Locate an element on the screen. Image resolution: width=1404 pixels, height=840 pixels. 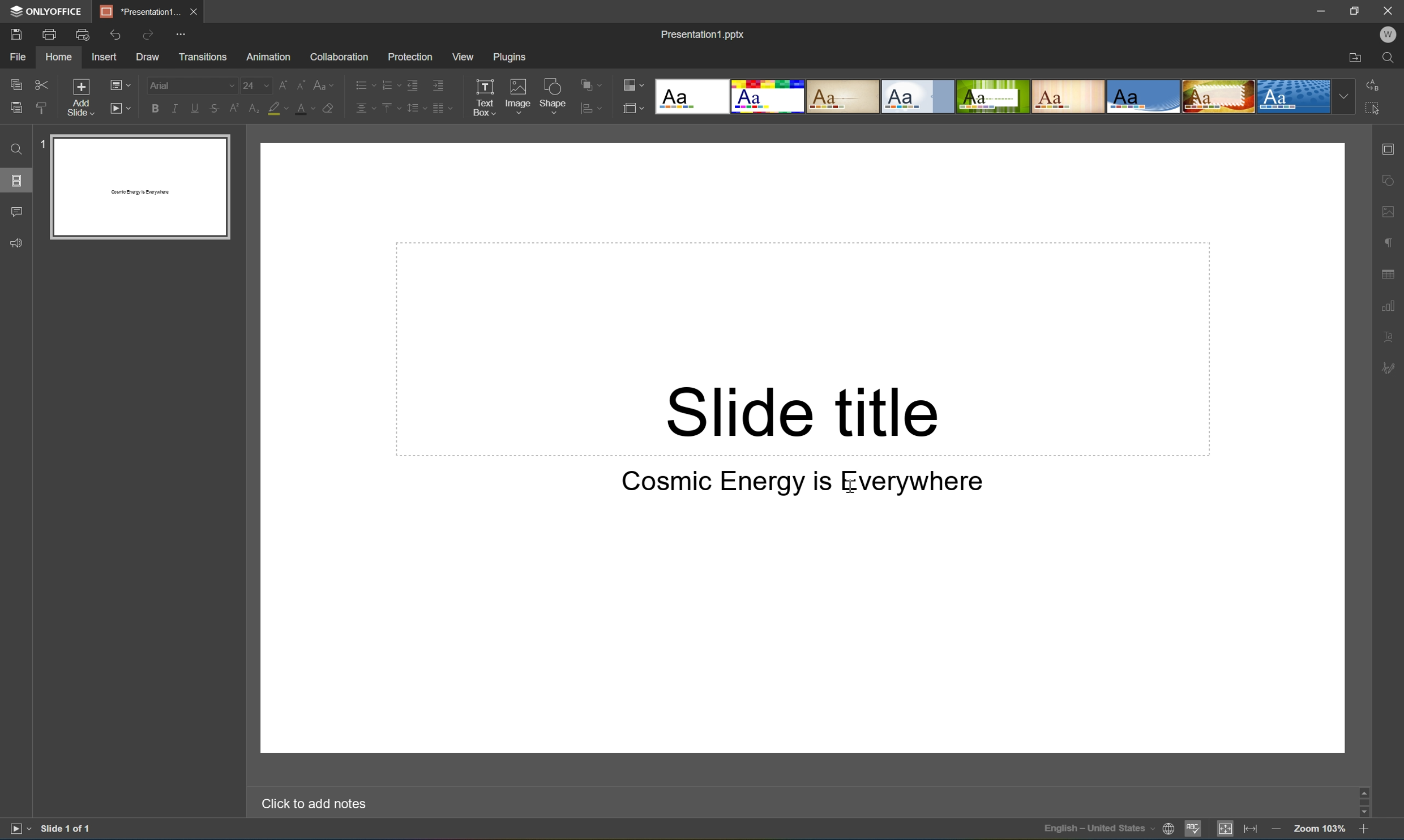
Type of slides is located at coordinates (1004, 96).